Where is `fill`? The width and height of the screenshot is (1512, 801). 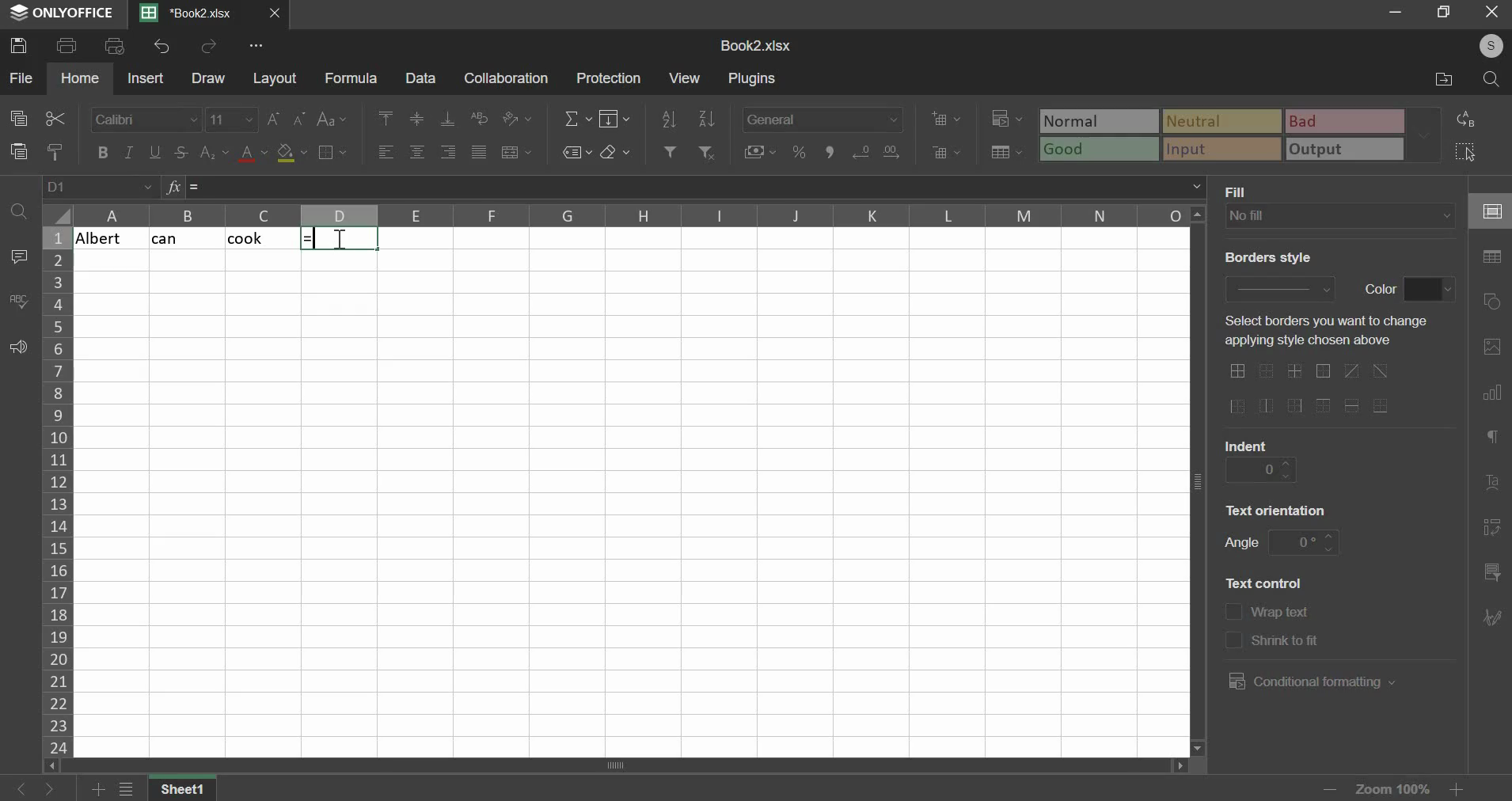
fill is located at coordinates (616, 118).